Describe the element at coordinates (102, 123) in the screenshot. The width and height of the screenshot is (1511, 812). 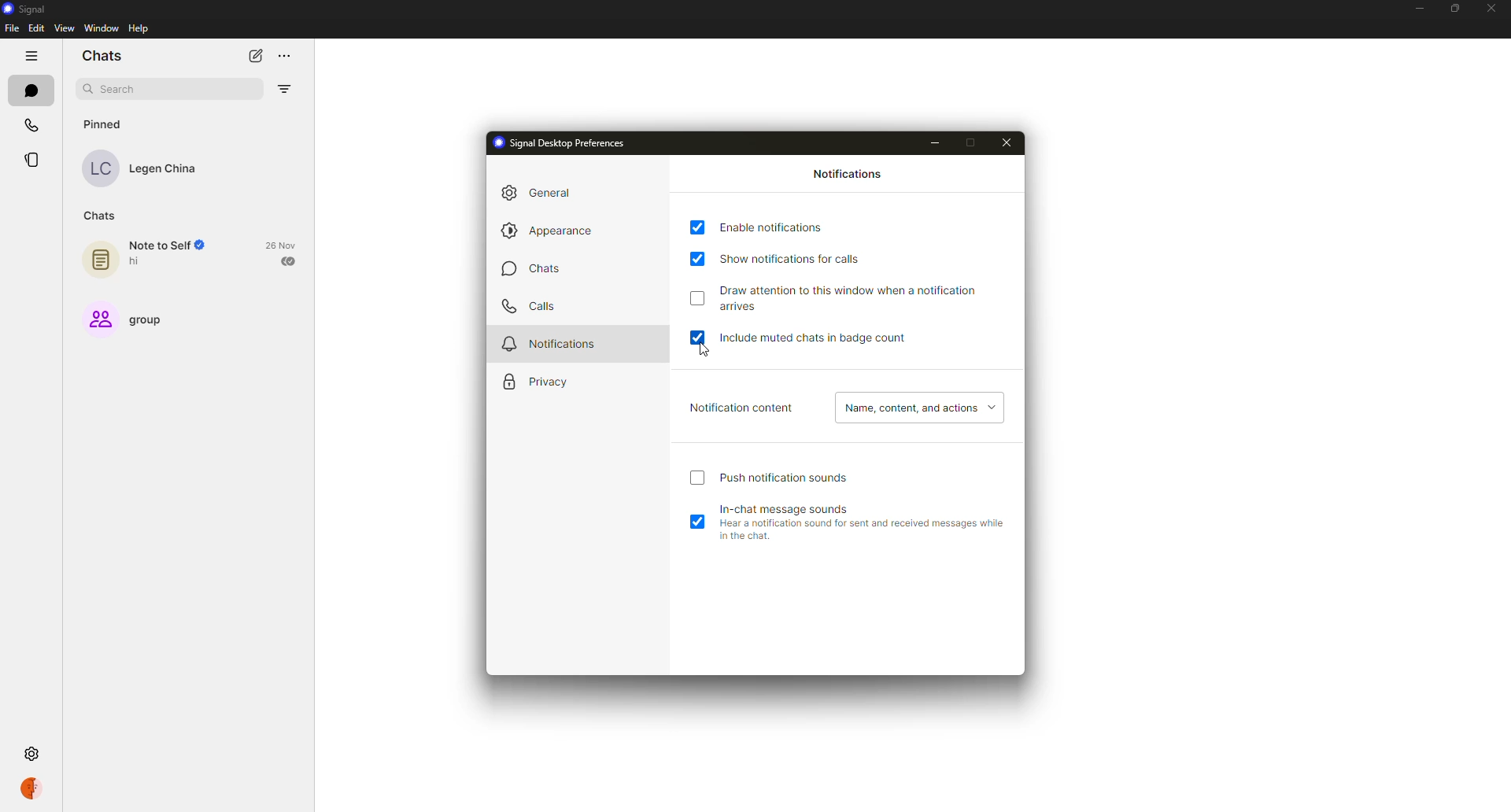
I see `pinned` at that location.